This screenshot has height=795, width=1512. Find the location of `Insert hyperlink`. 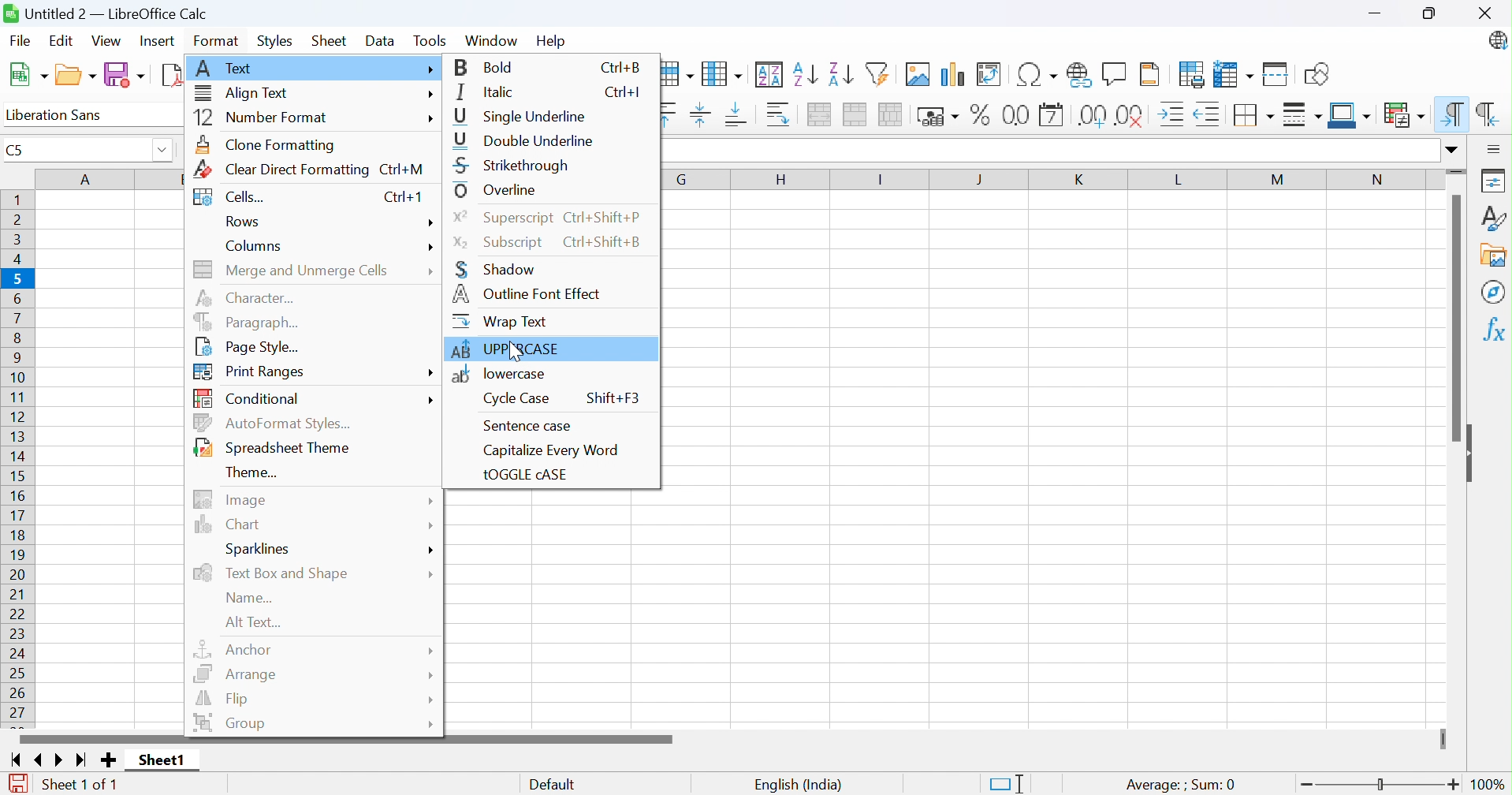

Insert hyperlink is located at coordinates (1078, 75).